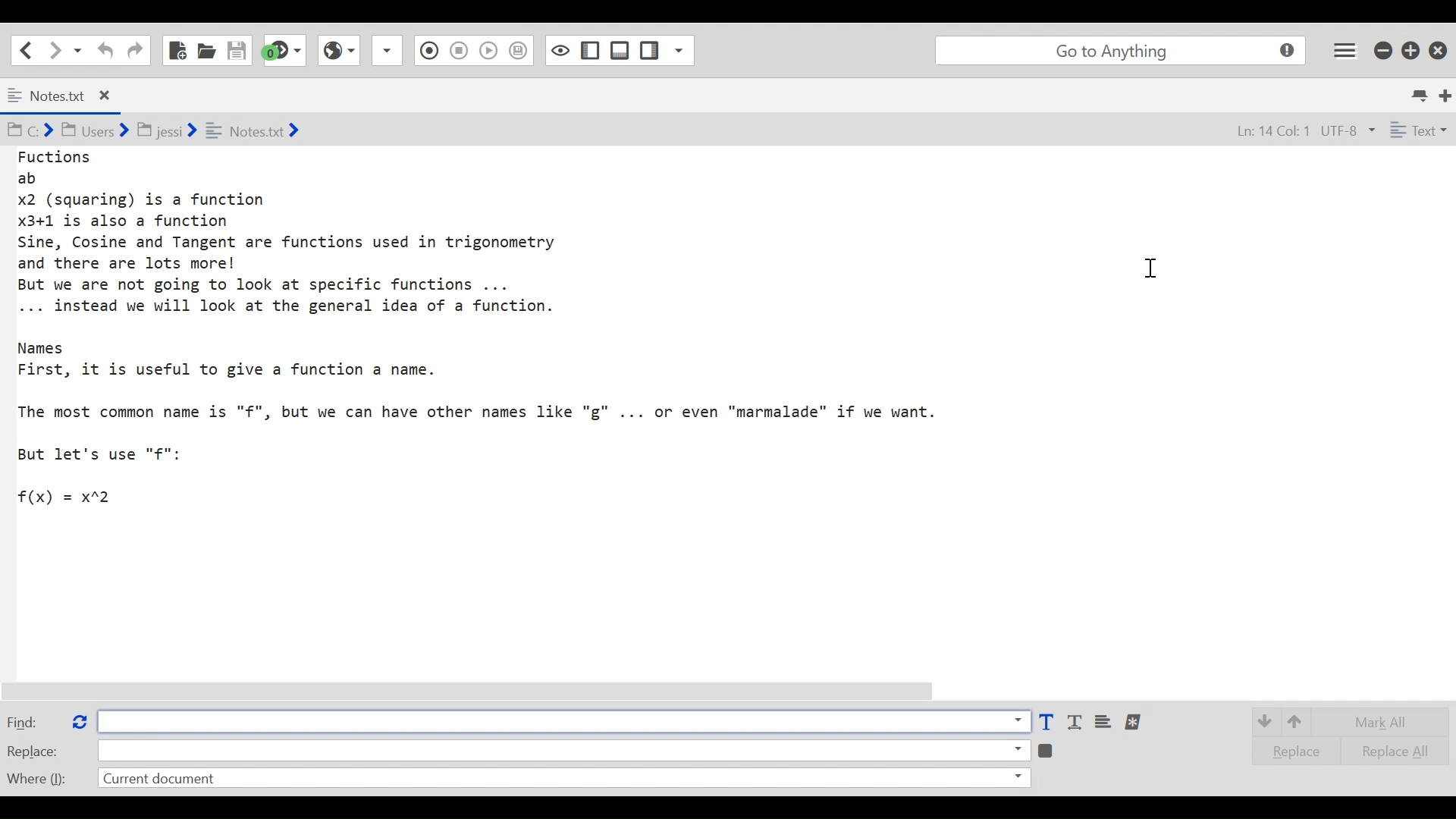  What do you see at coordinates (1263, 720) in the screenshot?
I see `Arrow down` at bounding box center [1263, 720].